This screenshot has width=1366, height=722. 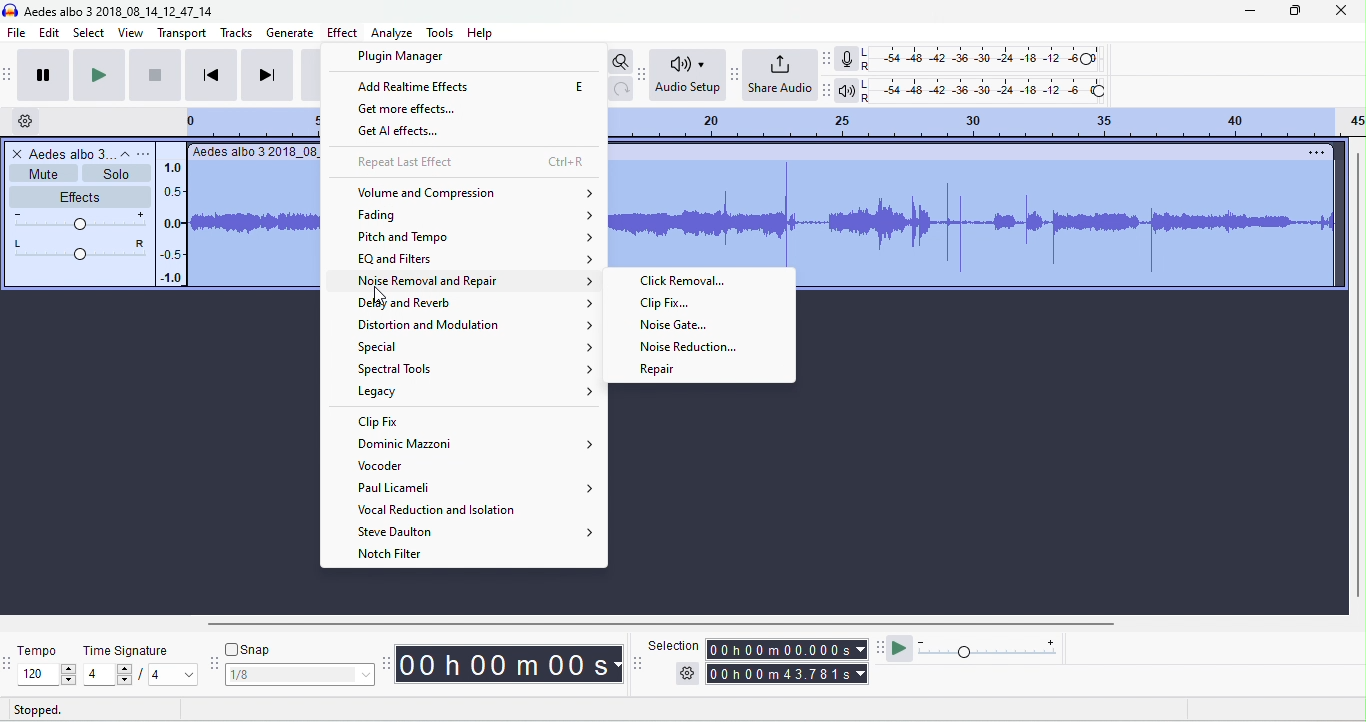 What do you see at coordinates (482, 34) in the screenshot?
I see `help` at bounding box center [482, 34].